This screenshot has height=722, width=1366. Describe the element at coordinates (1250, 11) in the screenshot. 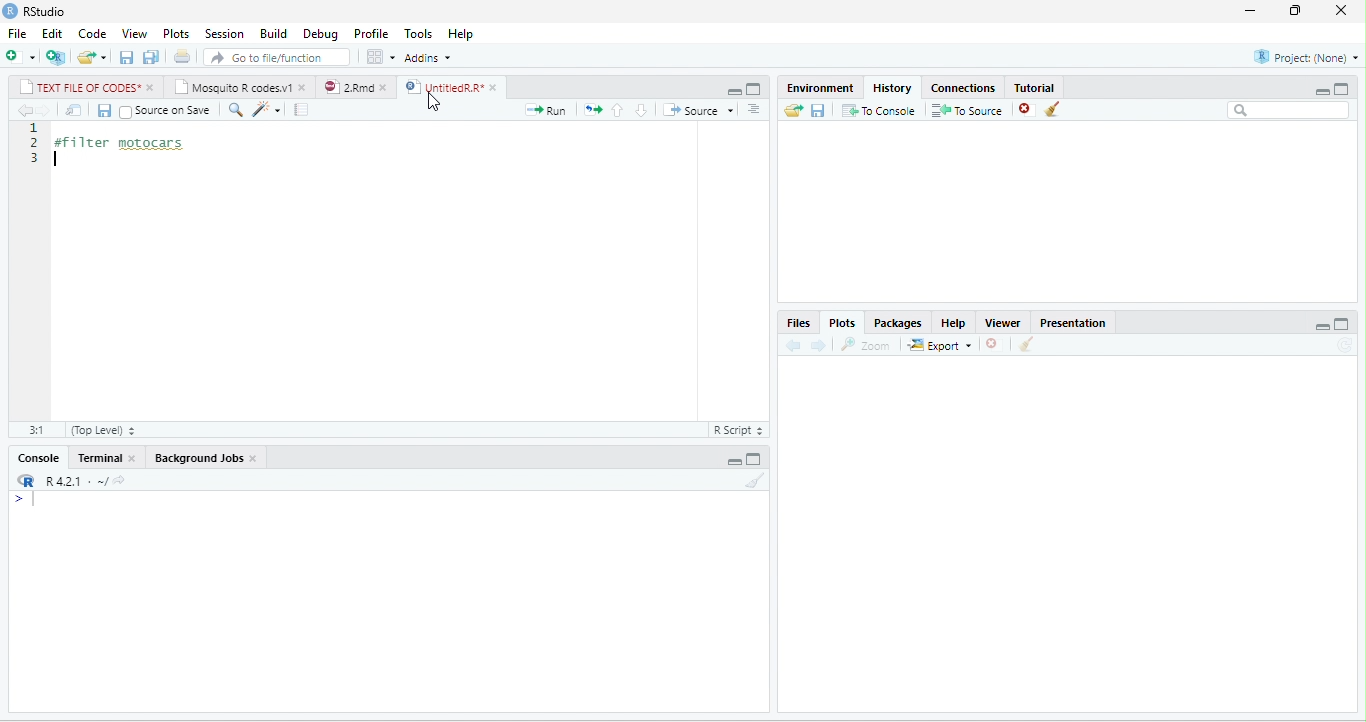

I see `minimize` at that location.